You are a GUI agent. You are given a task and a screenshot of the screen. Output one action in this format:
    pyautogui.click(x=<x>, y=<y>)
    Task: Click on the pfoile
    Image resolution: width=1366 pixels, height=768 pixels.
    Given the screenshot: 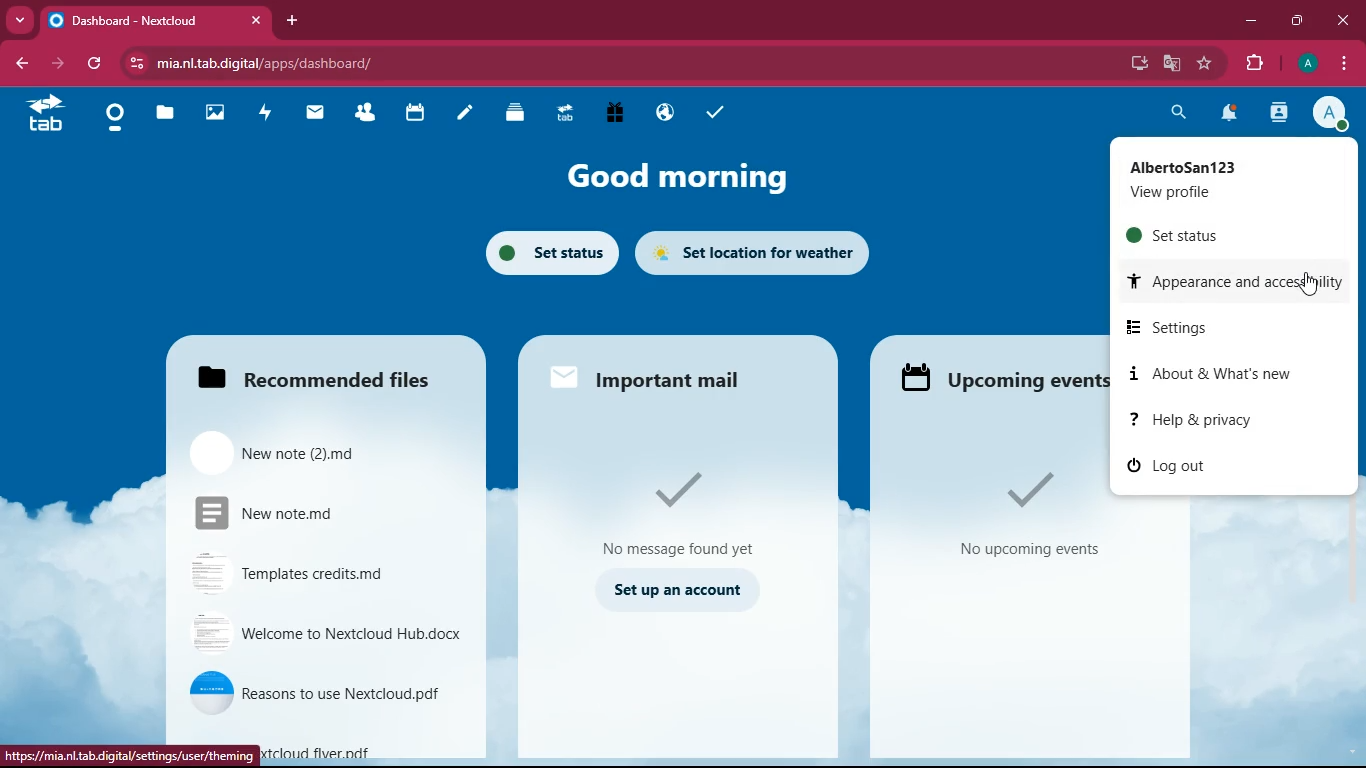 What is the action you would take?
    pyautogui.click(x=1306, y=63)
    